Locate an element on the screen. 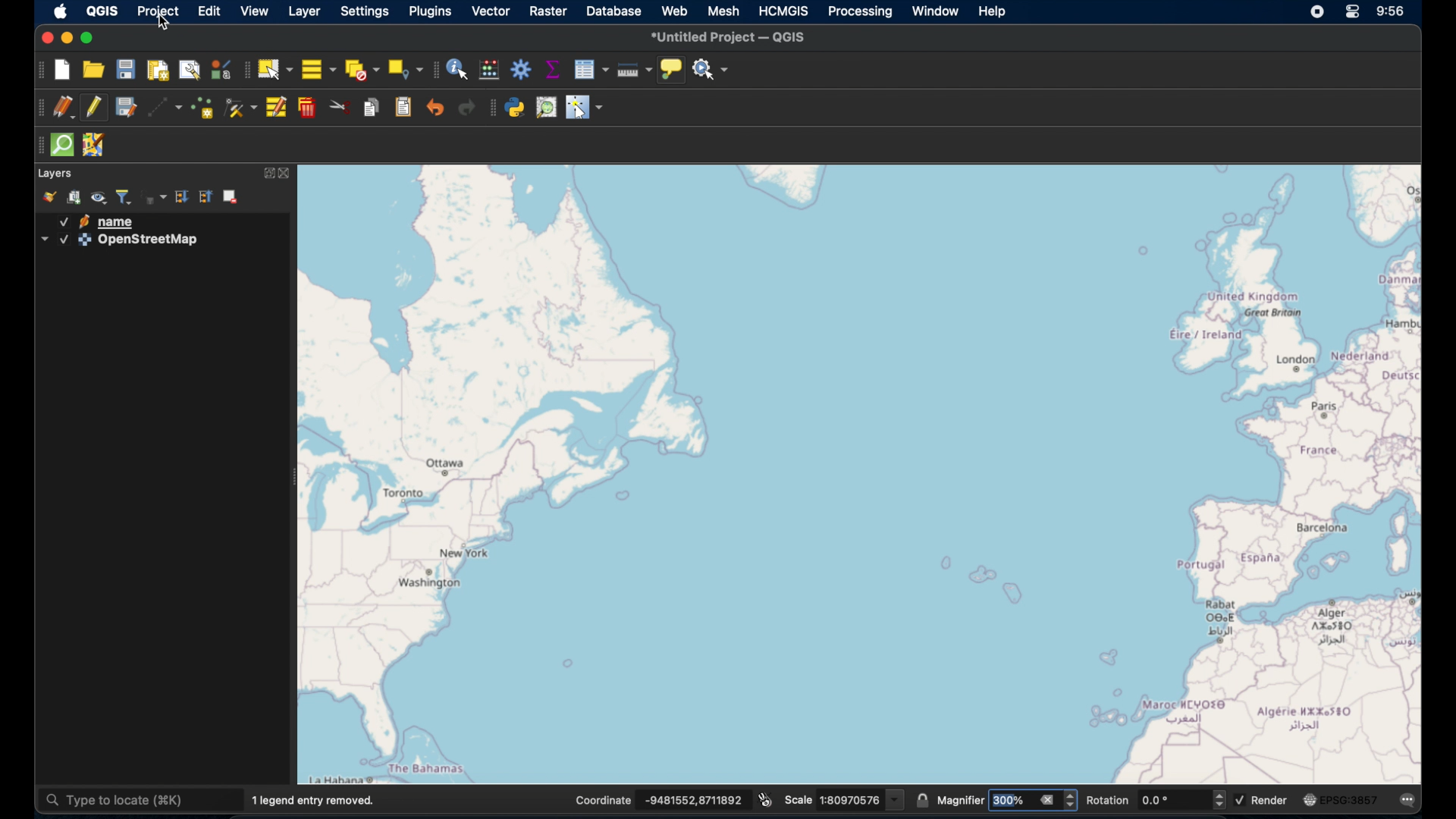 This screenshot has height=819, width=1456. expand all is located at coordinates (184, 196).